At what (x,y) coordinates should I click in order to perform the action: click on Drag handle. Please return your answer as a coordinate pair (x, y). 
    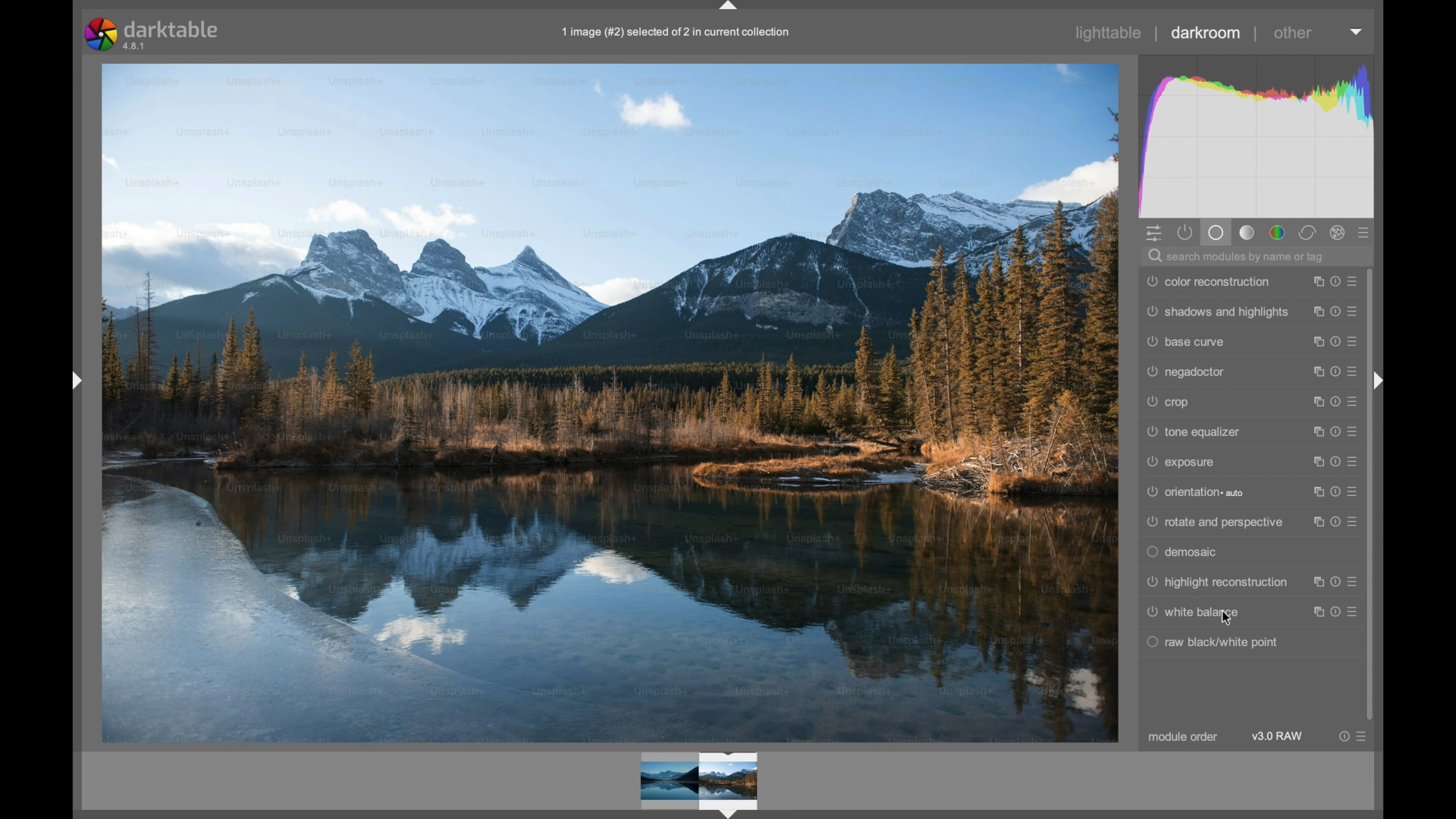
    Looking at the image, I should click on (73, 378).